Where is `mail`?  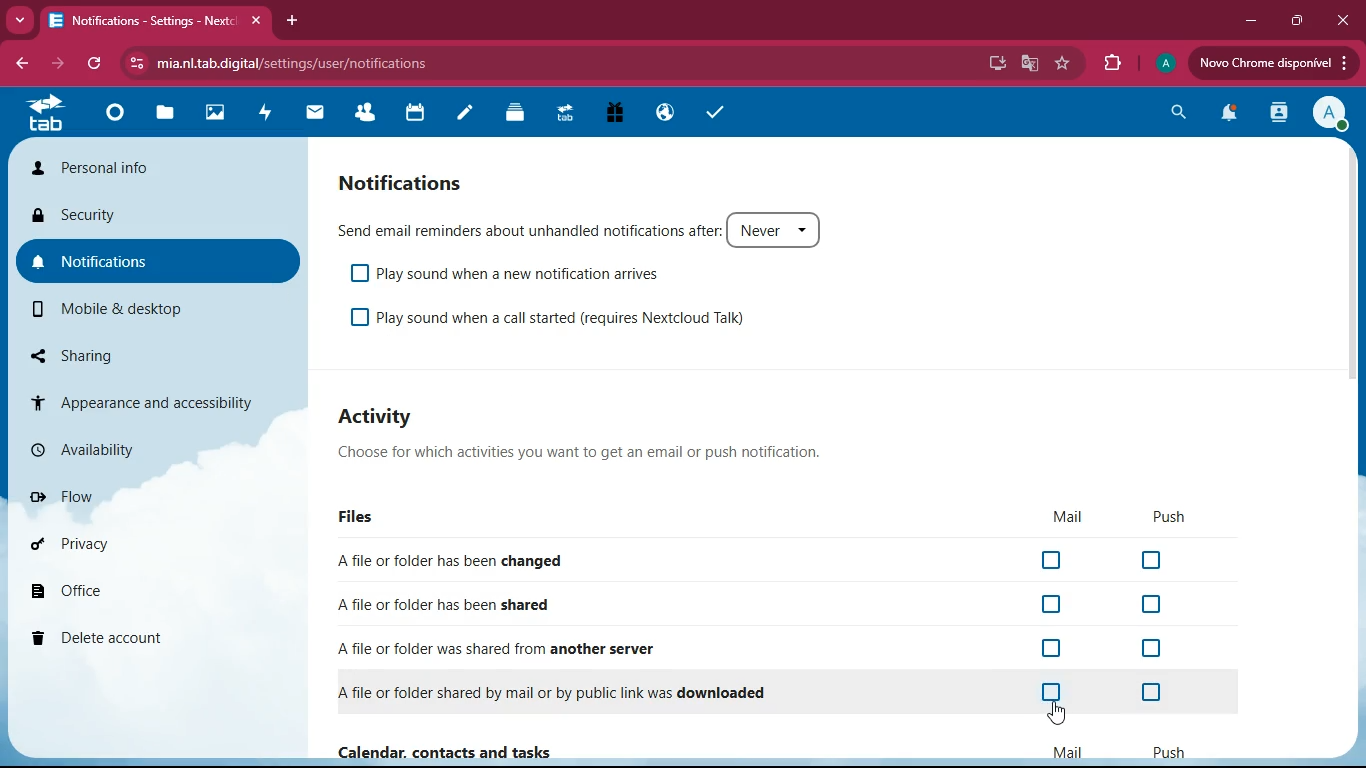 mail is located at coordinates (311, 115).